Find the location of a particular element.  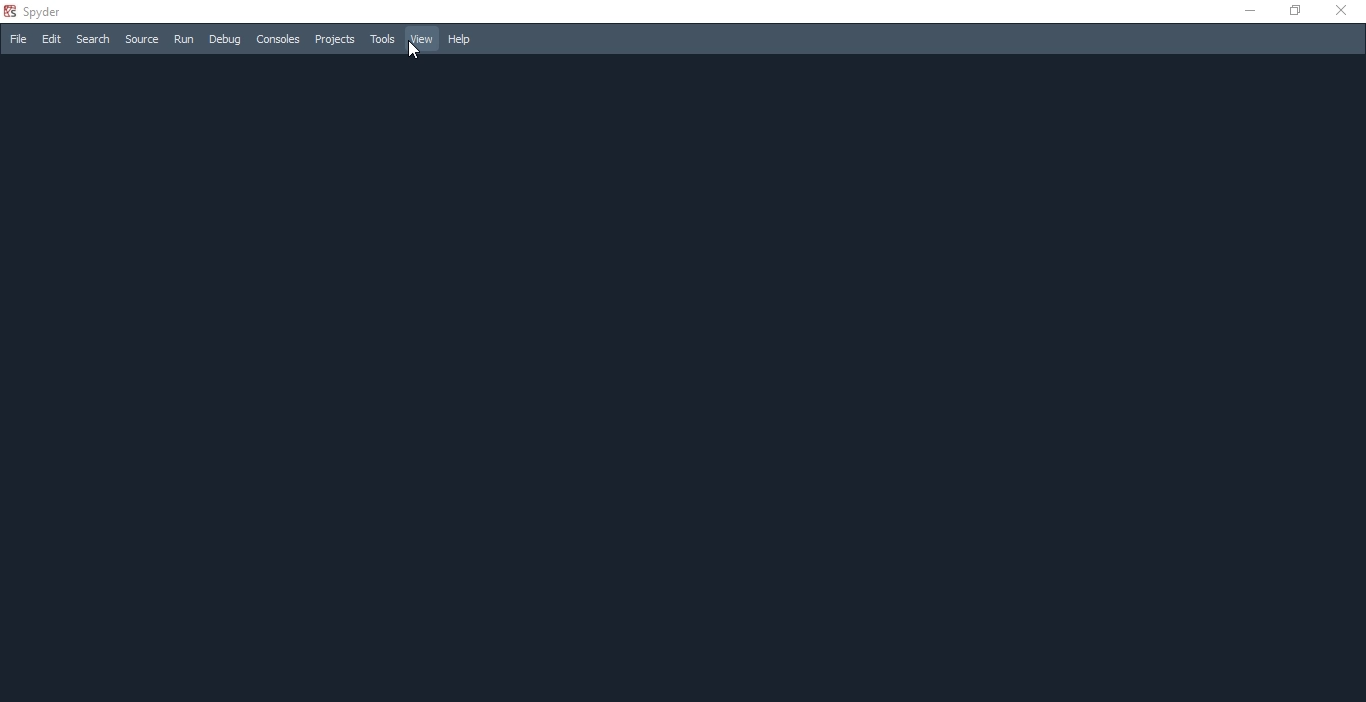

Run is located at coordinates (183, 39).